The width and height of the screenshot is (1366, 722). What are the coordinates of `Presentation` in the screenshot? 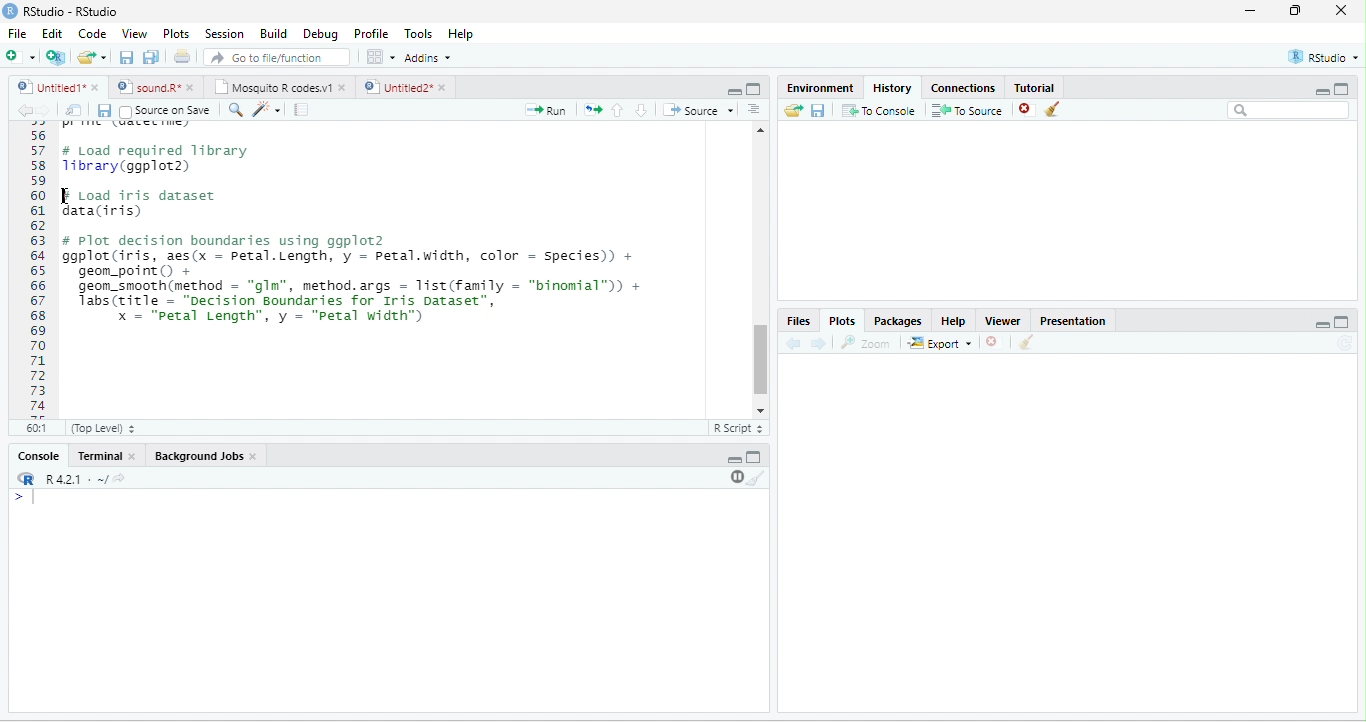 It's located at (1074, 321).